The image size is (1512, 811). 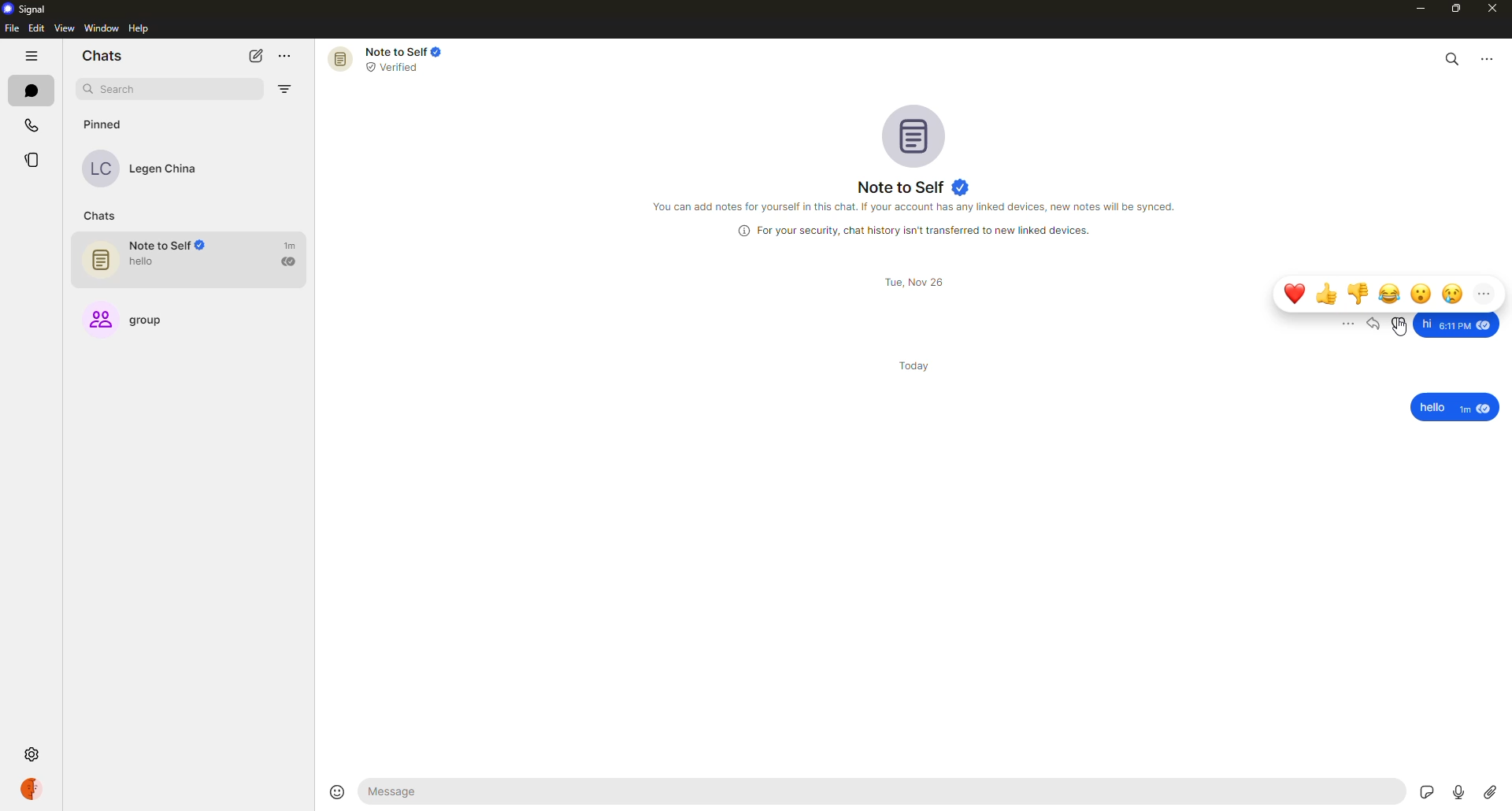 I want to click on calls, so click(x=31, y=124).